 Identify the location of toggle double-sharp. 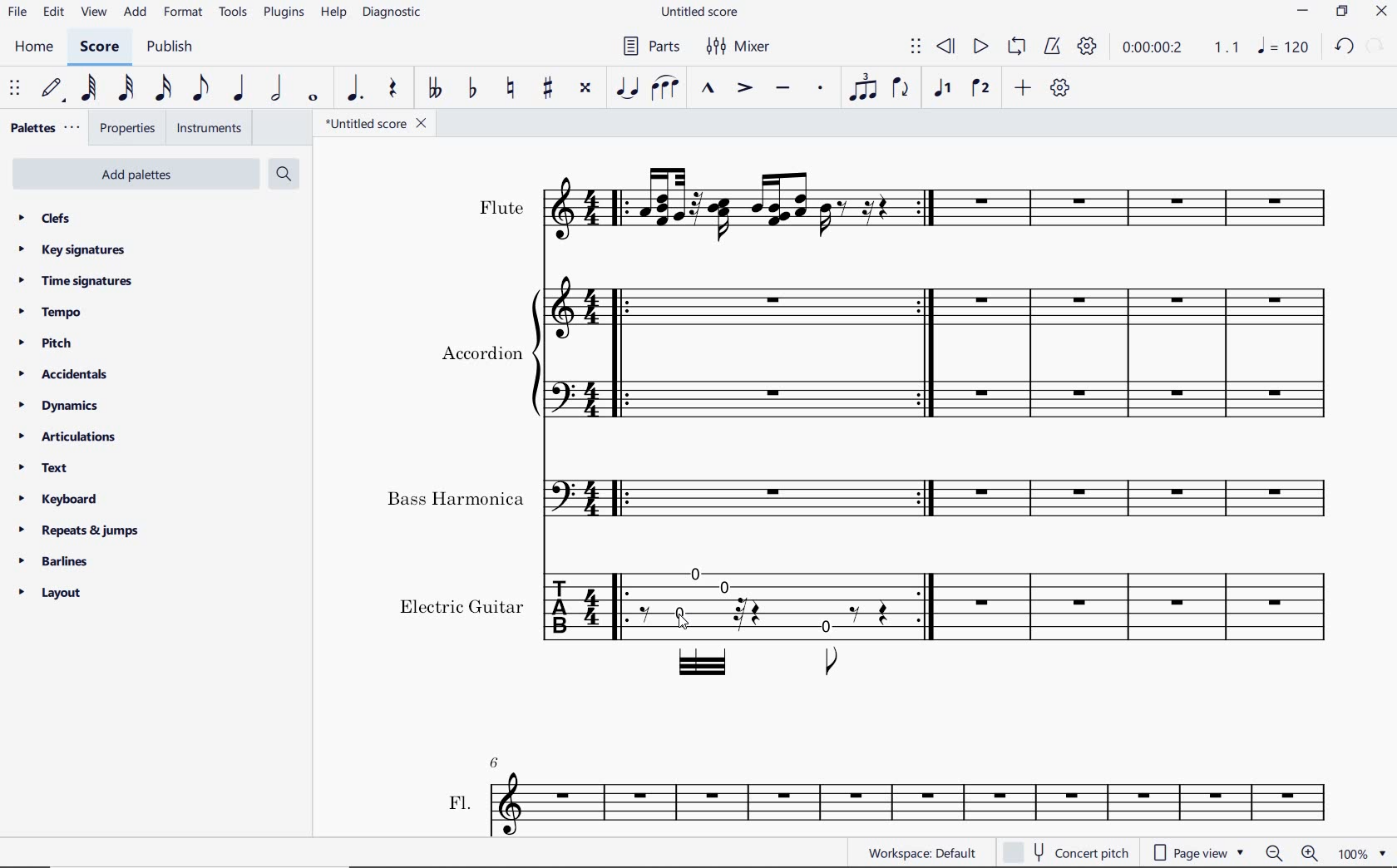
(587, 88).